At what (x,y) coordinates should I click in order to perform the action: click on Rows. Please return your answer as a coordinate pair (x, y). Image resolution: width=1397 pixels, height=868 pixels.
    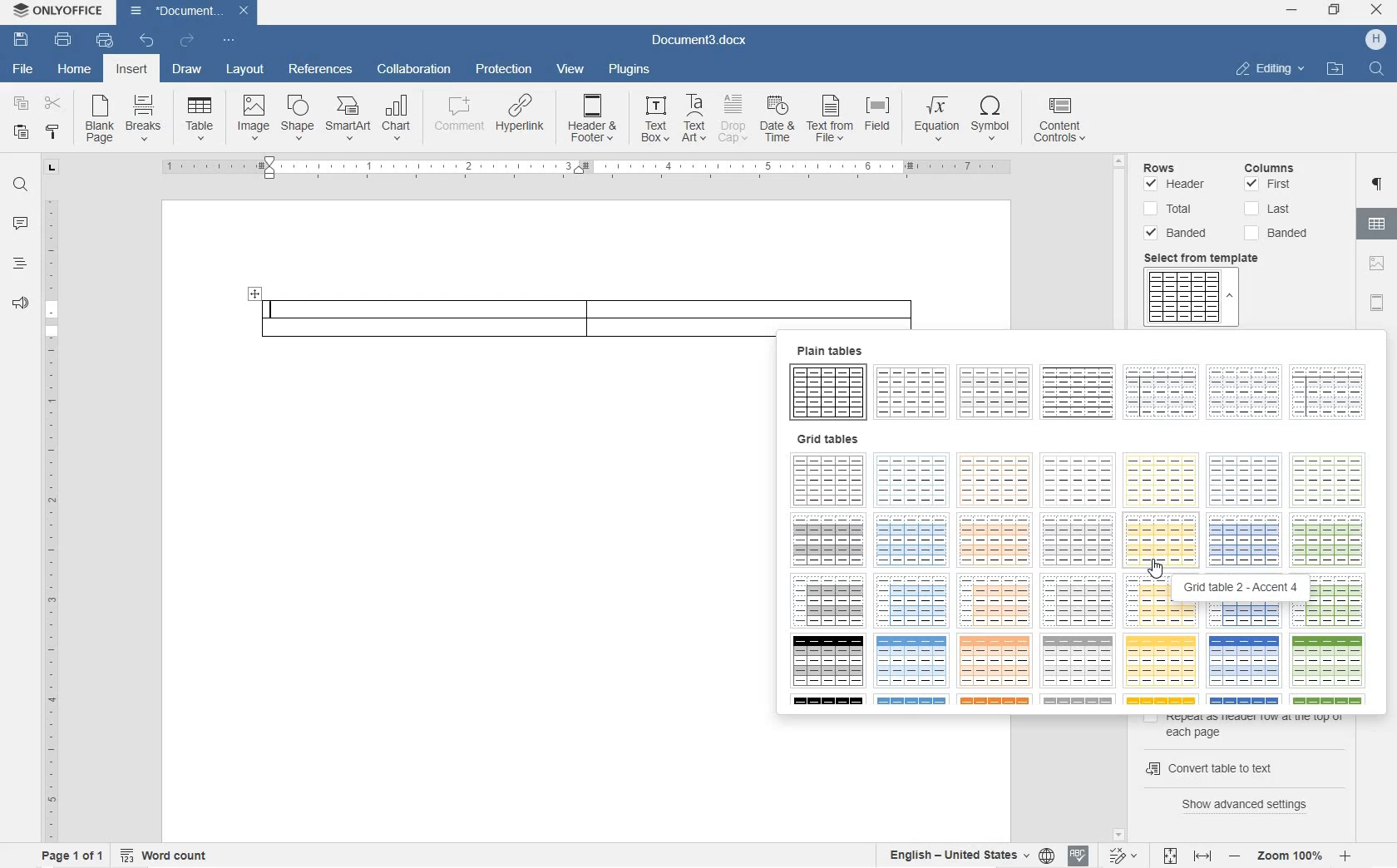
    Looking at the image, I should click on (1181, 165).